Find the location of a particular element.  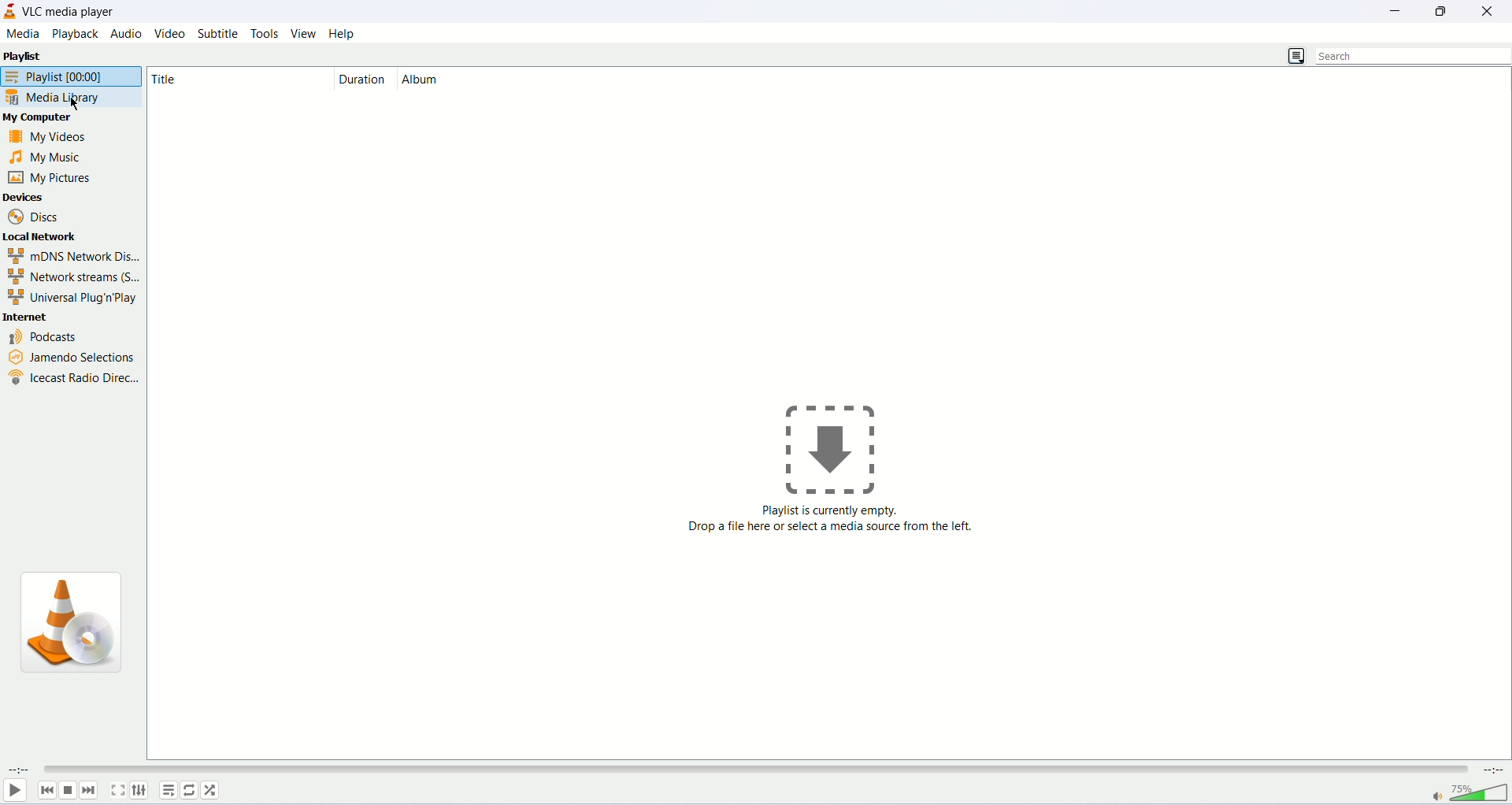

title is located at coordinates (222, 76).